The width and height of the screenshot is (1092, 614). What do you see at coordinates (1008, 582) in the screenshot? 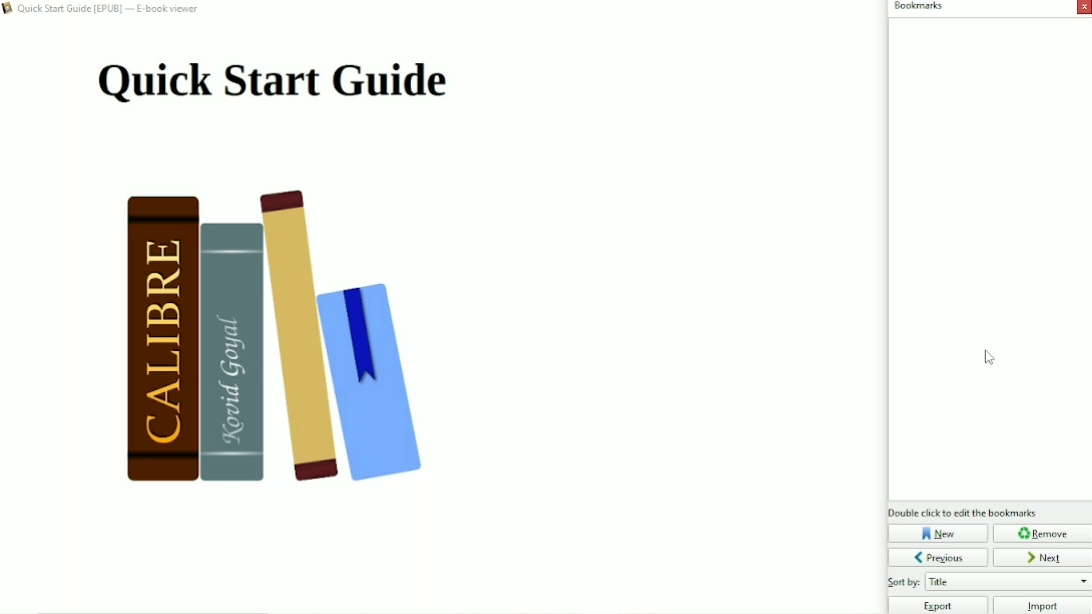
I see `Sort by` at bounding box center [1008, 582].